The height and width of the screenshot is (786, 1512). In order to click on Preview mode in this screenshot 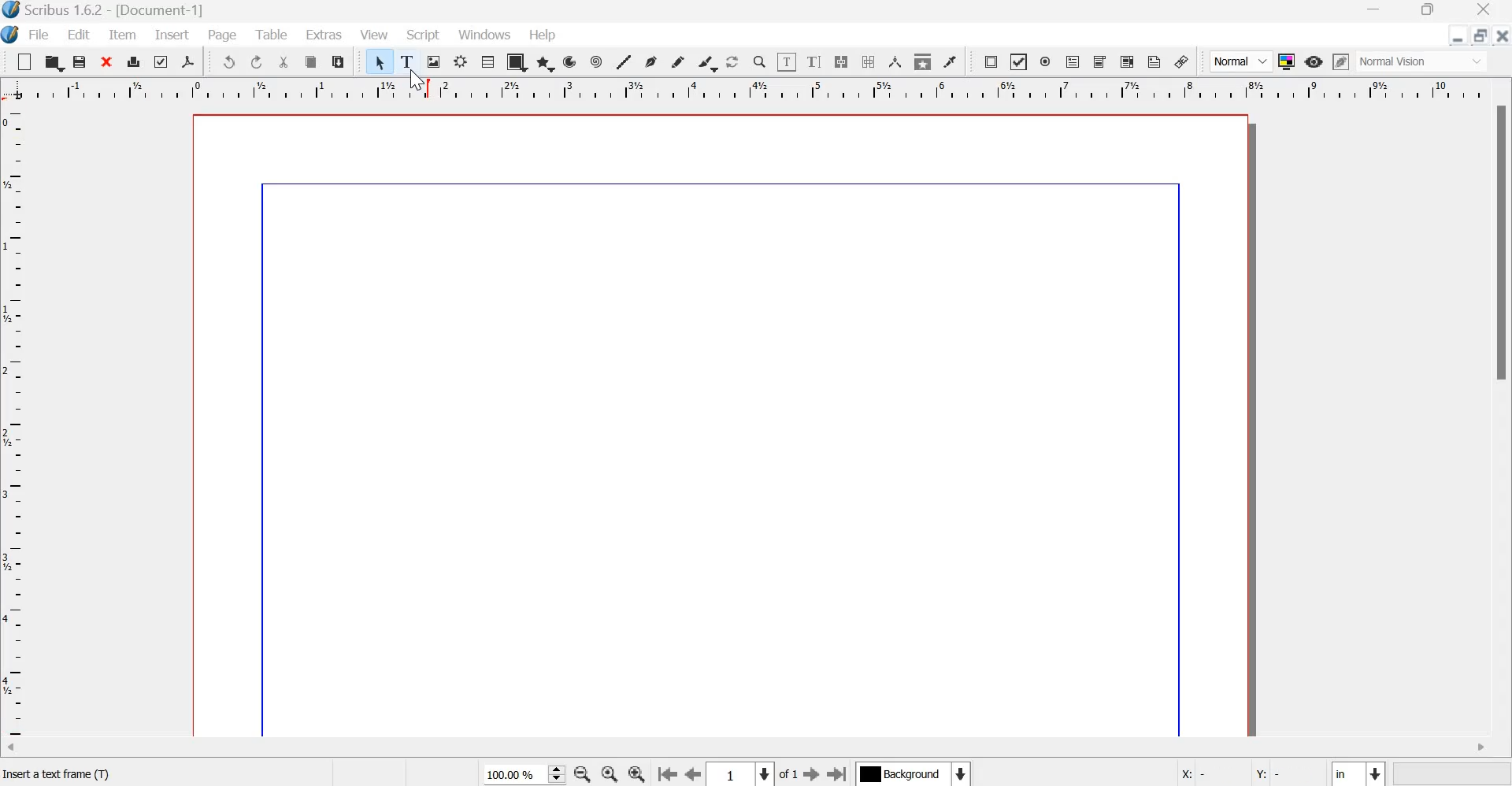, I will do `click(1314, 63)`.